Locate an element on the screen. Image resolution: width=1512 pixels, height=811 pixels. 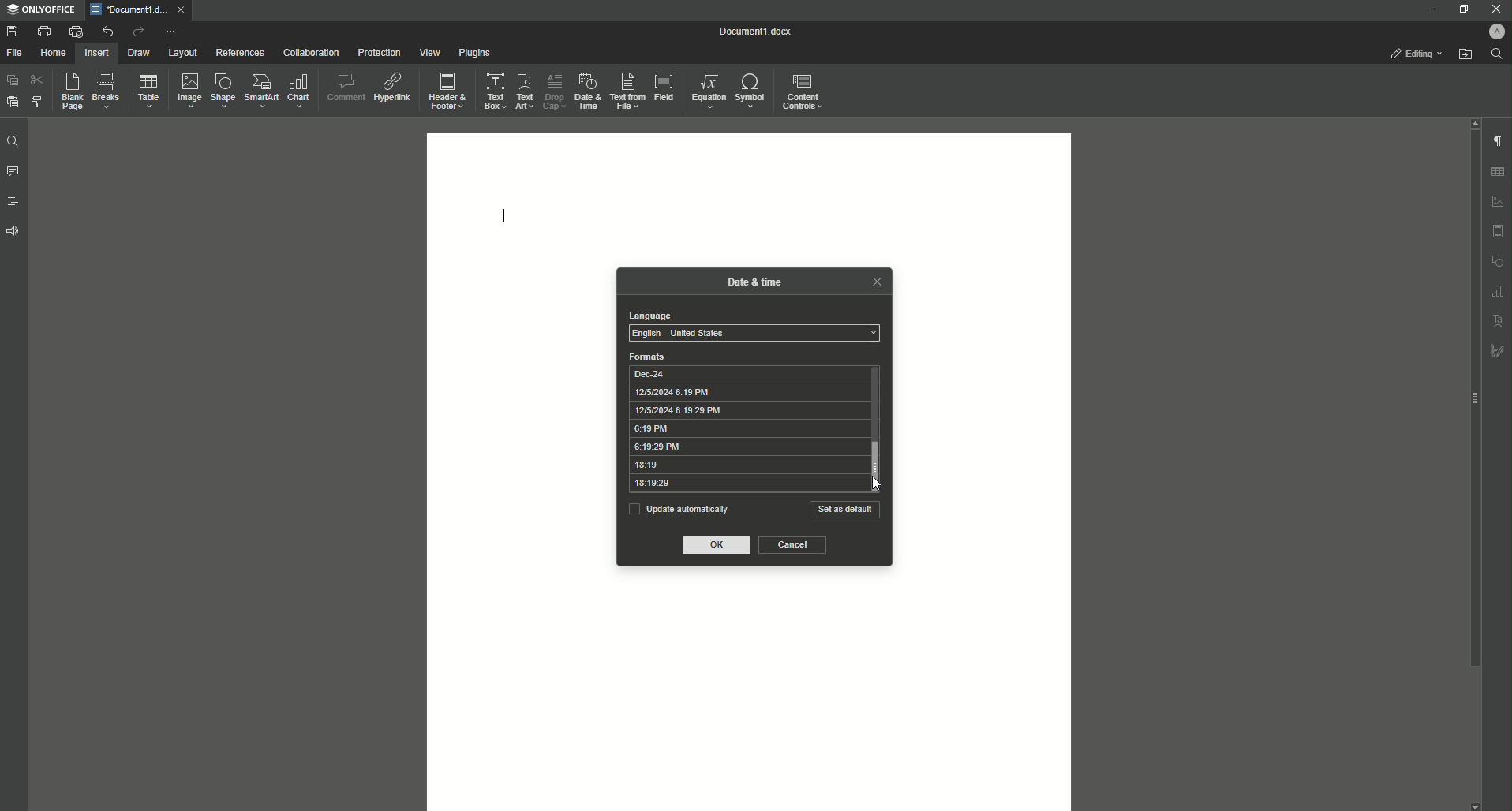
scroll up is located at coordinates (1473, 122).